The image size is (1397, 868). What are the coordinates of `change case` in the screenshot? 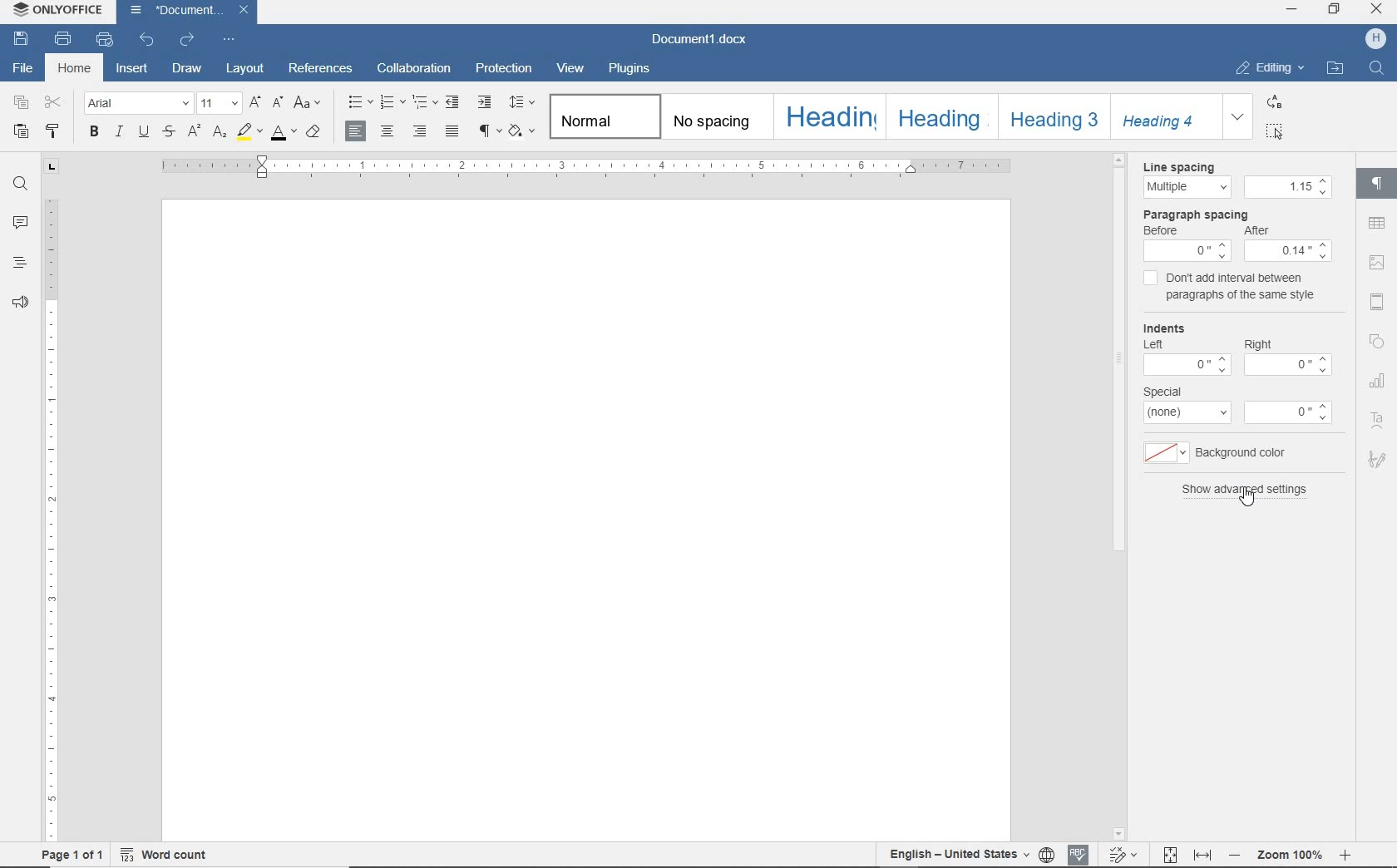 It's located at (309, 104).